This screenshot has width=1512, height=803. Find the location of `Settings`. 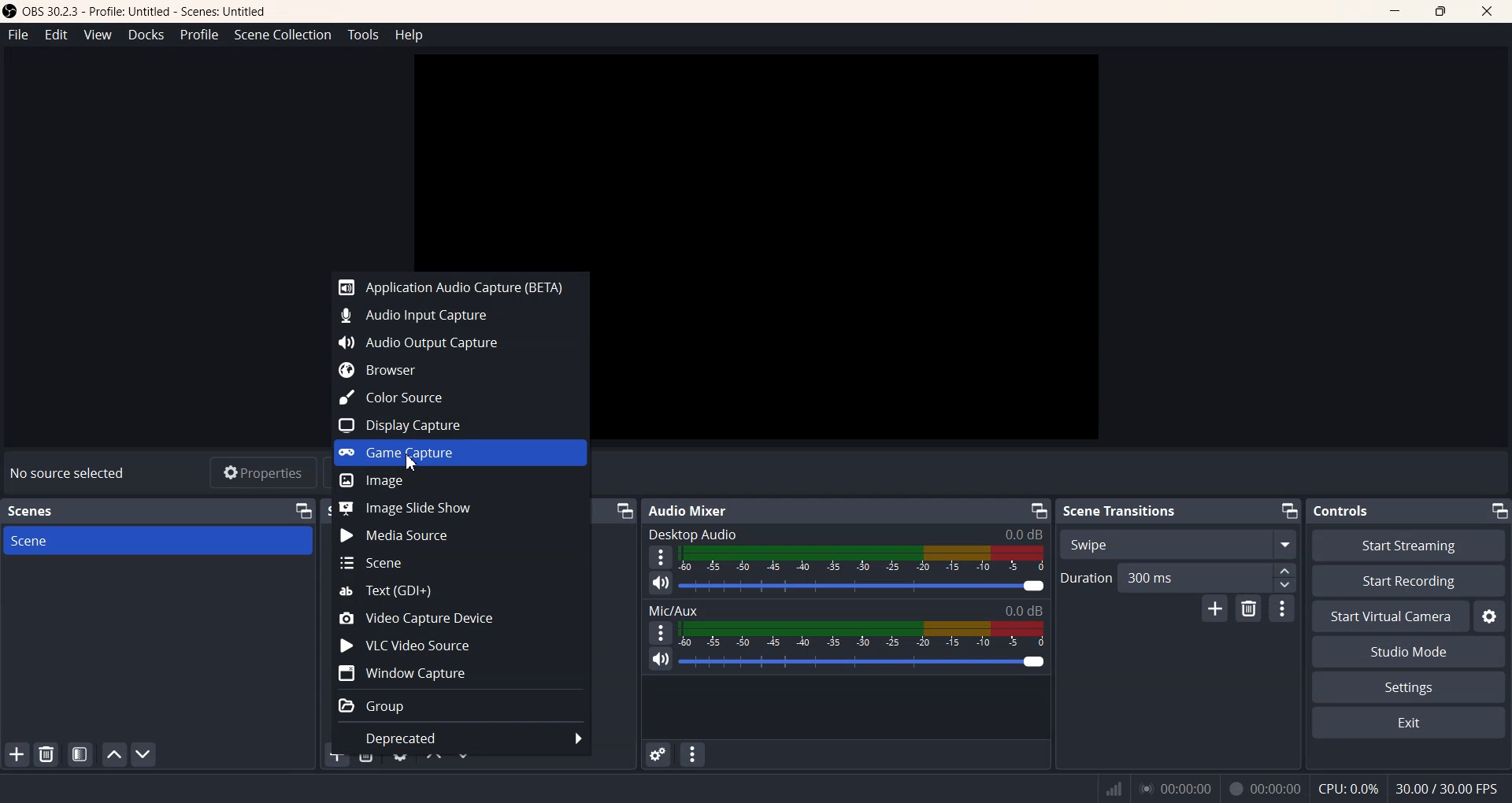

Settings is located at coordinates (1490, 616).